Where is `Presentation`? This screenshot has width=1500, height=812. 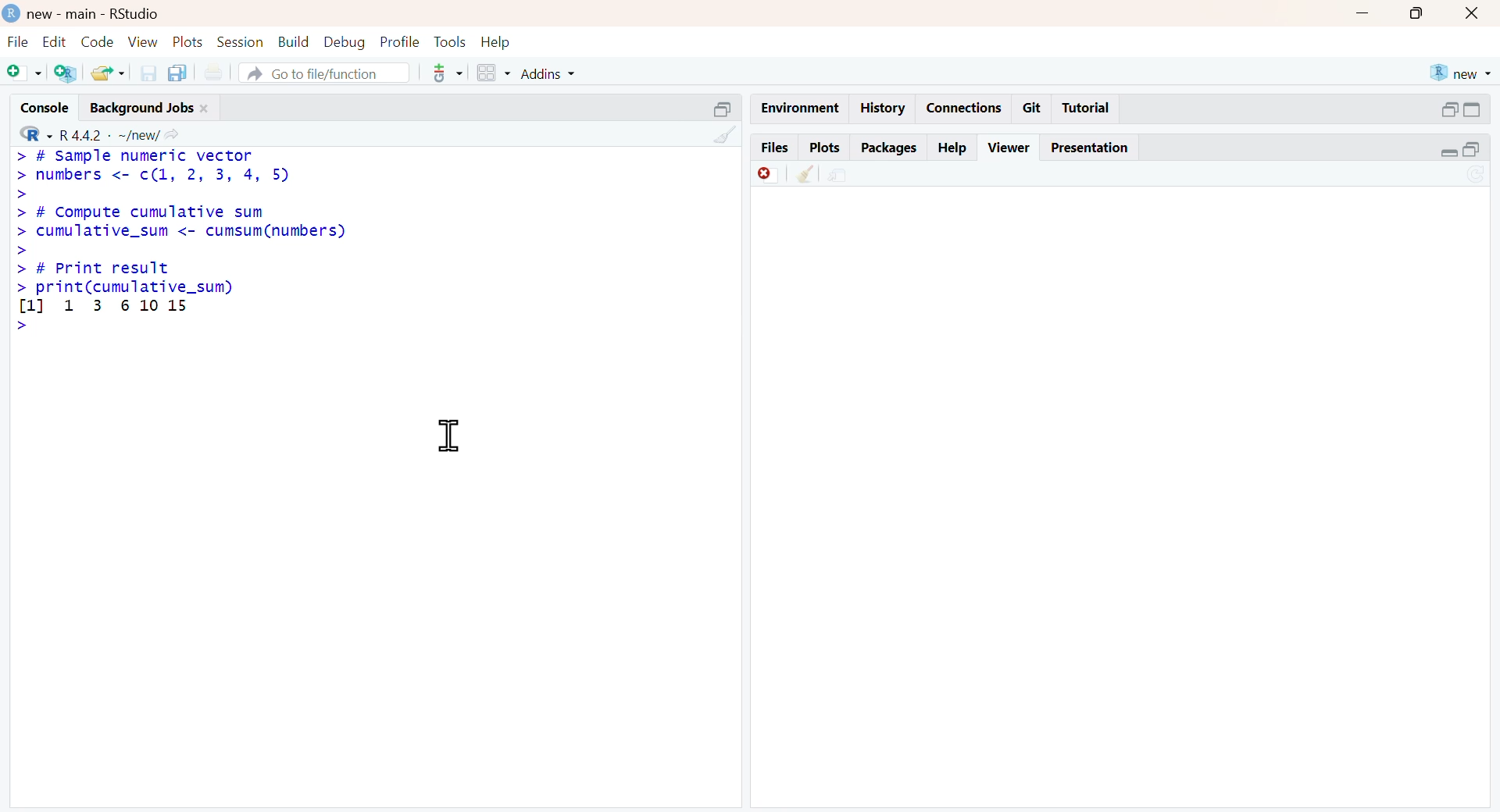 Presentation is located at coordinates (1090, 149).